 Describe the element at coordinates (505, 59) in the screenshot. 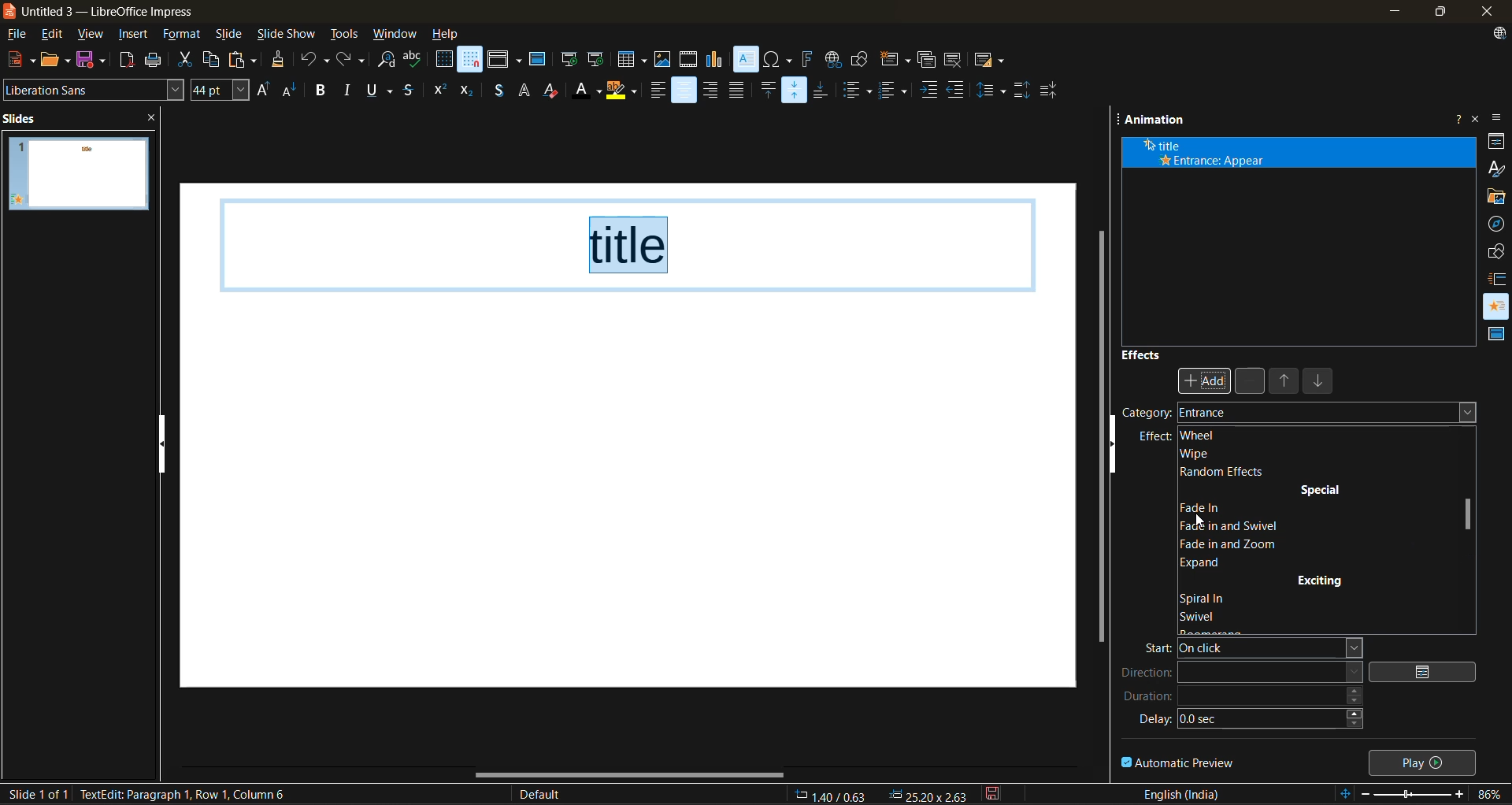

I see `display views` at that location.